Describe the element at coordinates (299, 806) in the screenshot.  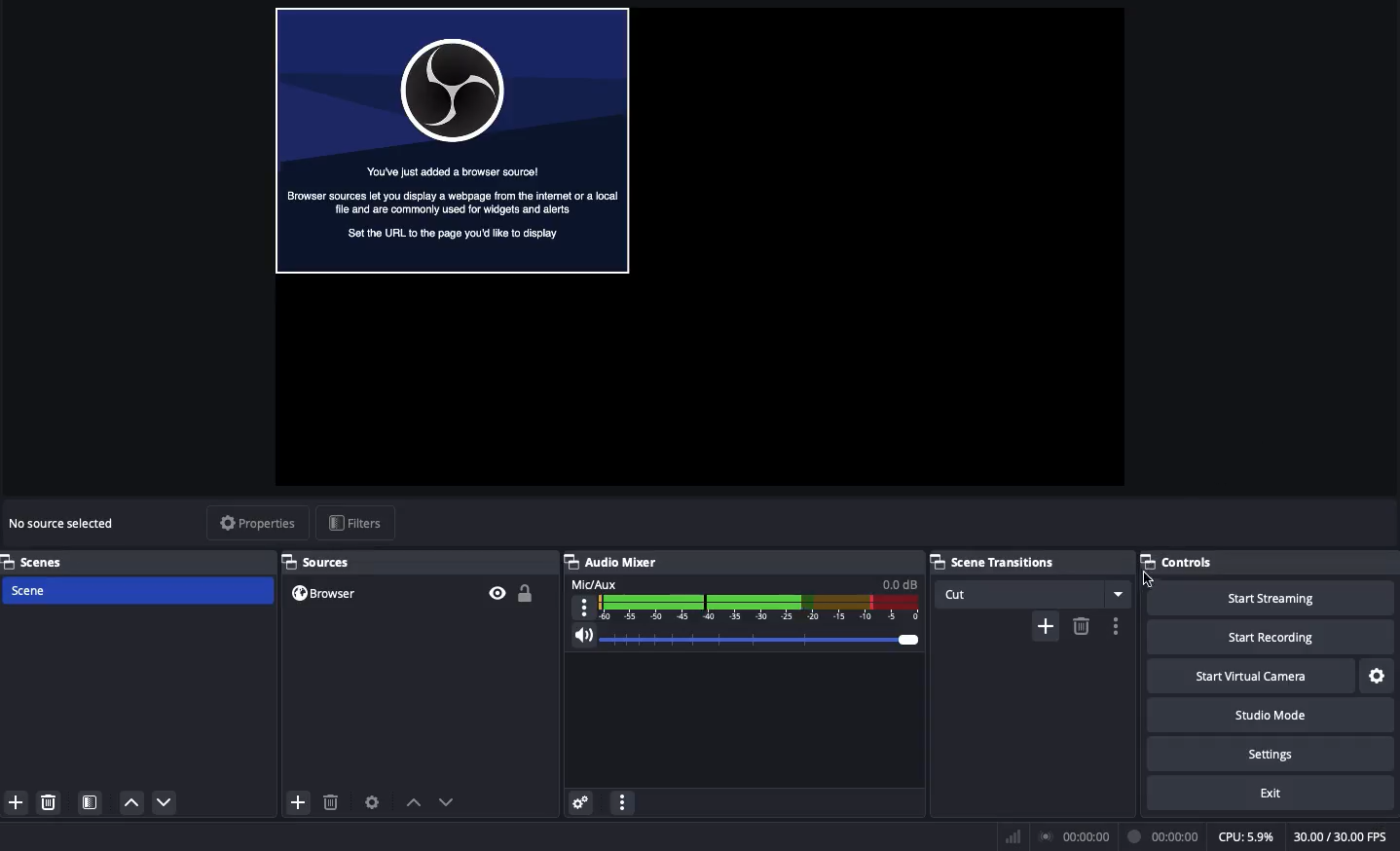
I see `add` at that location.